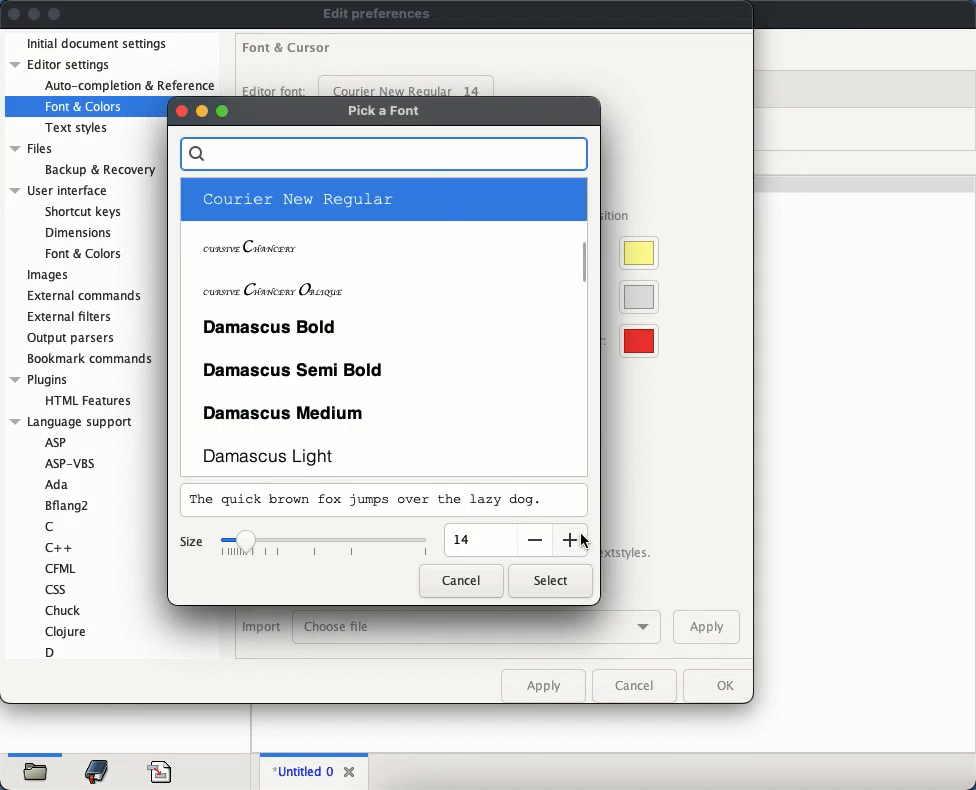  Describe the element at coordinates (587, 260) in the screenshot. I see `scroll` at that location.